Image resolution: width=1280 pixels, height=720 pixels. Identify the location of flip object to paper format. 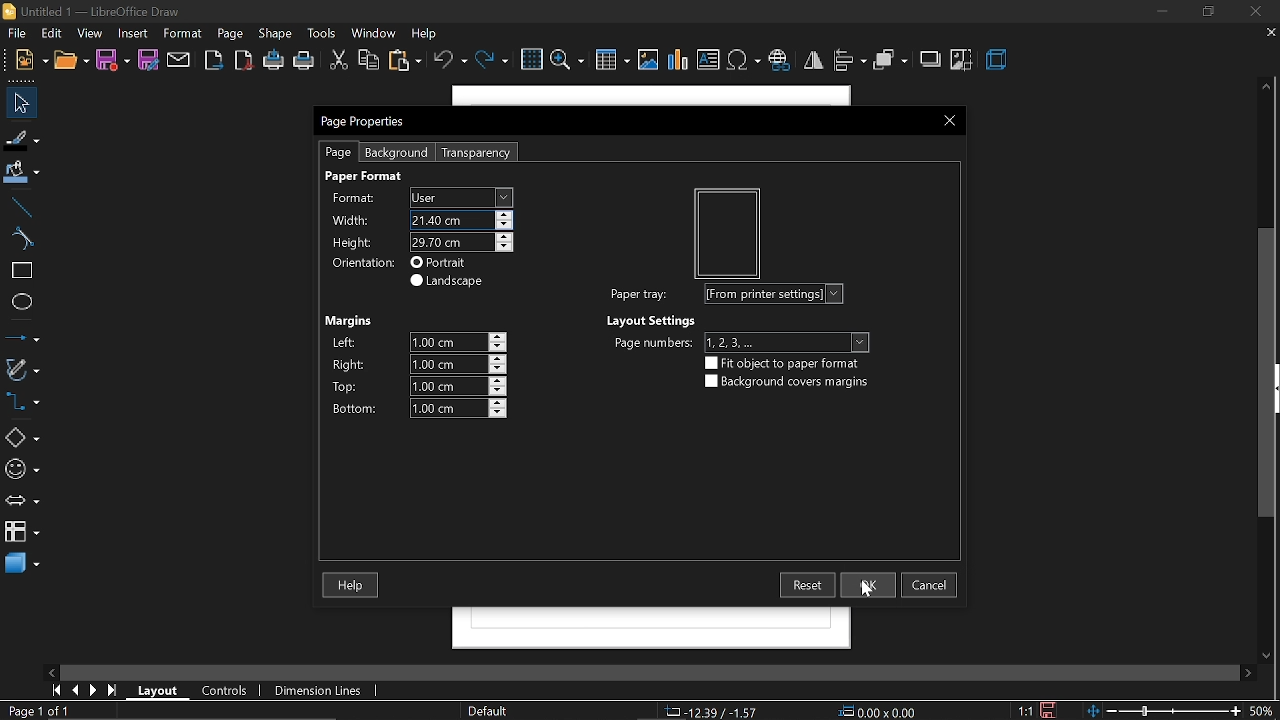
(783, 363).